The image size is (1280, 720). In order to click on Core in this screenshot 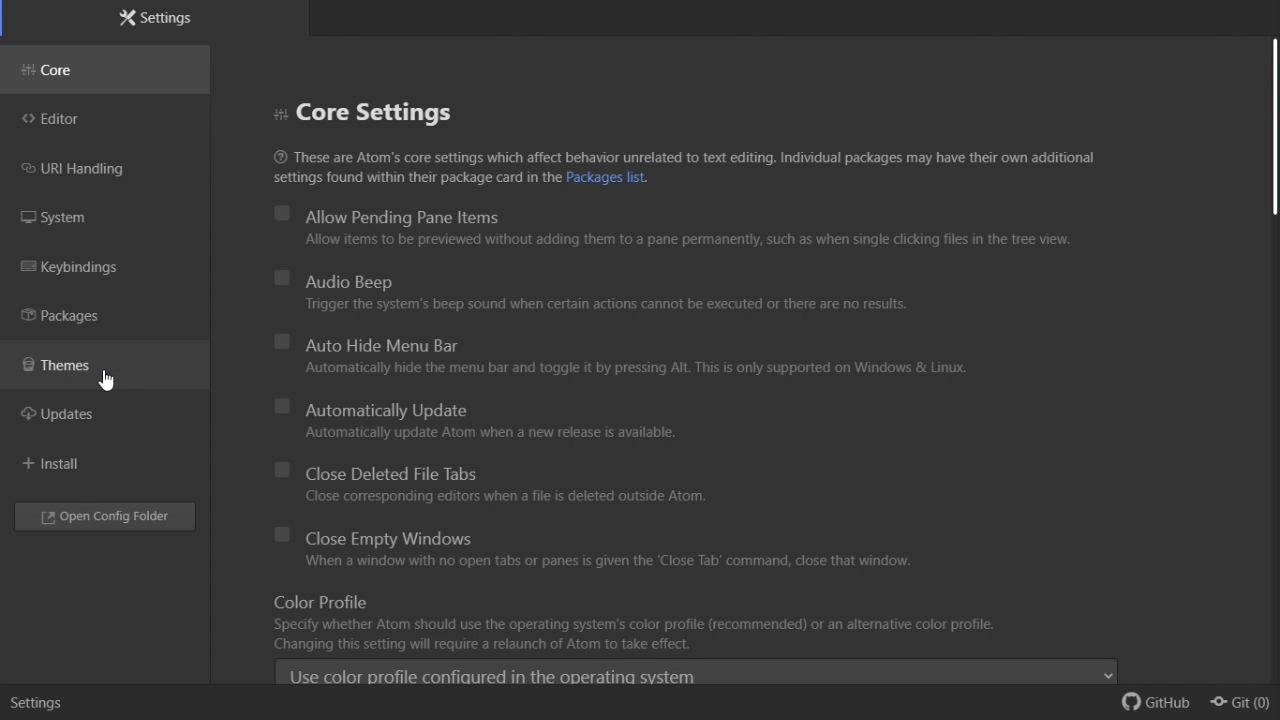, I will do `click(60, 66)`.